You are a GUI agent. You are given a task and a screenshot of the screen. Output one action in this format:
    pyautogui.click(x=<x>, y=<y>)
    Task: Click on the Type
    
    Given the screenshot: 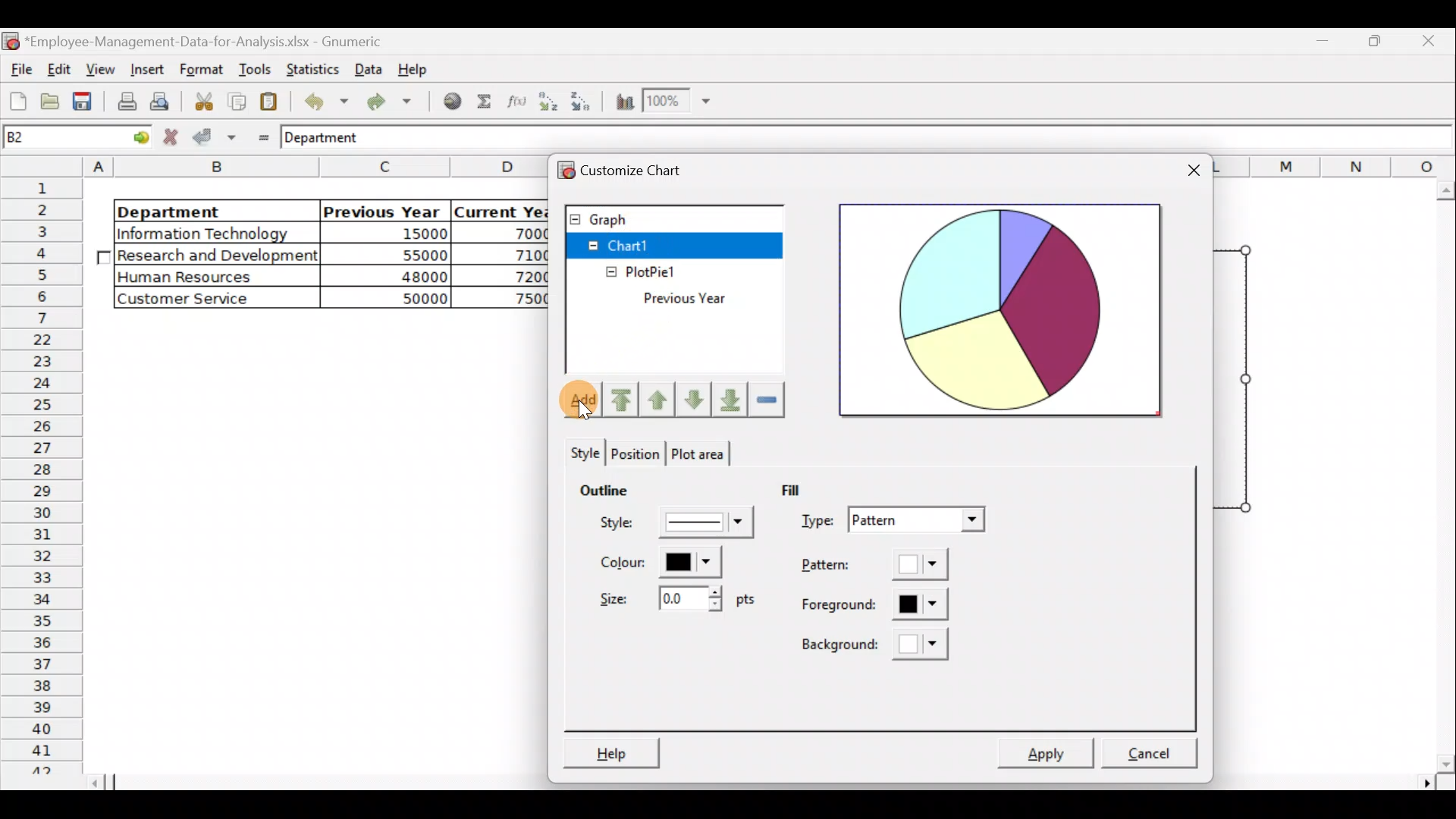 What is the action you would take?
    pyautogui.click(x=891, y=520)
    